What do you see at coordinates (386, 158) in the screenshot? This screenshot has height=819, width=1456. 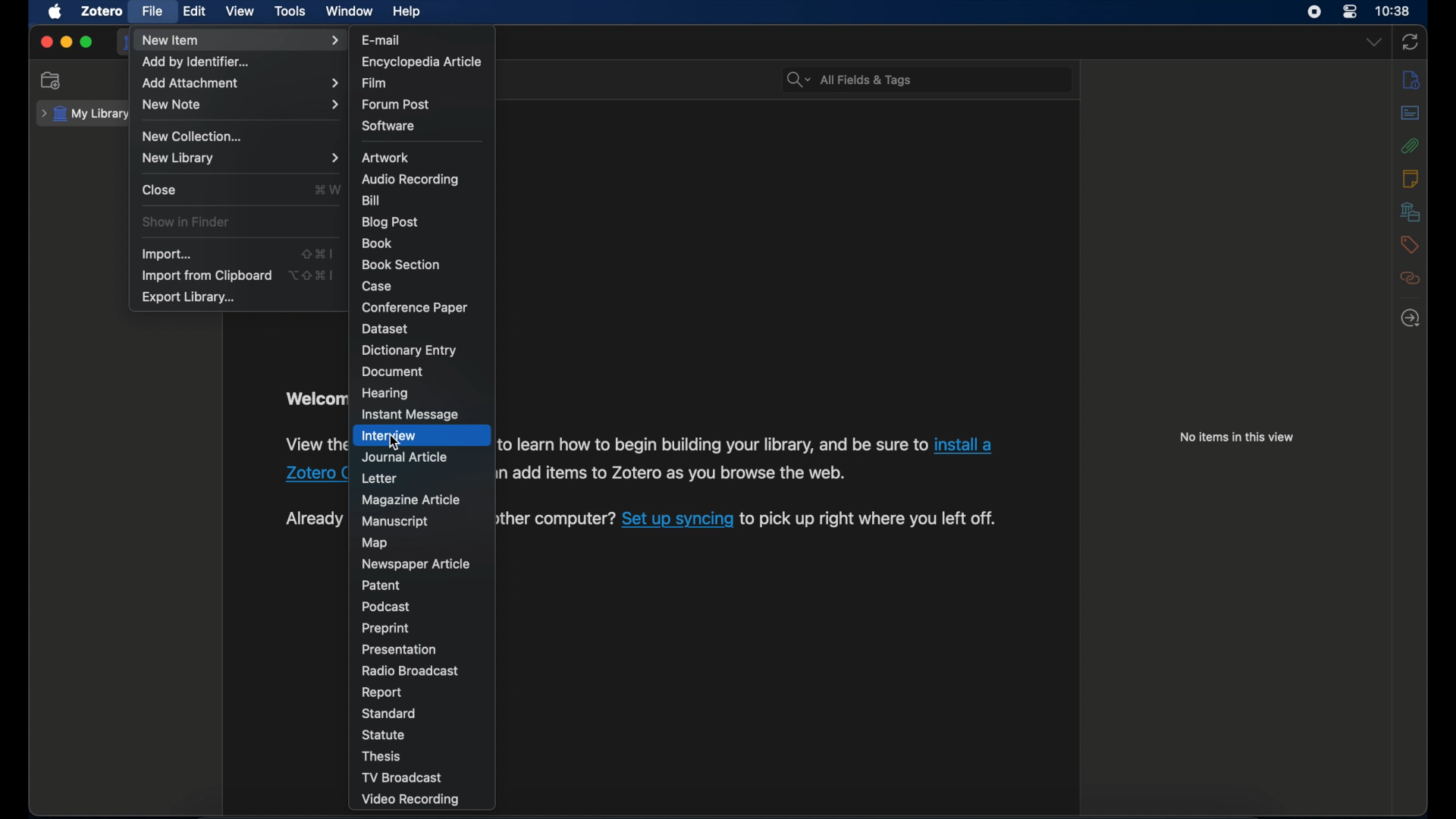 I see `artwork` at bounding box center [386, 158].